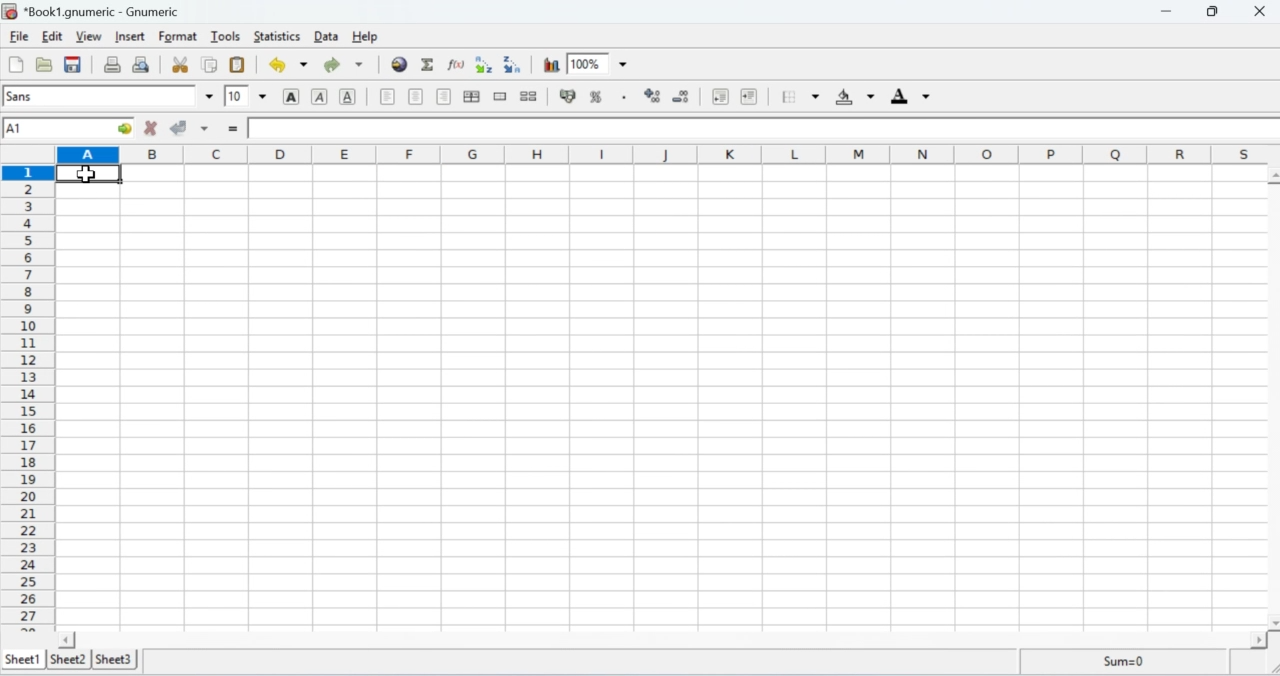 This screenshot has width=1280, height=676. I want to click on Statistics, so click(276, 36).